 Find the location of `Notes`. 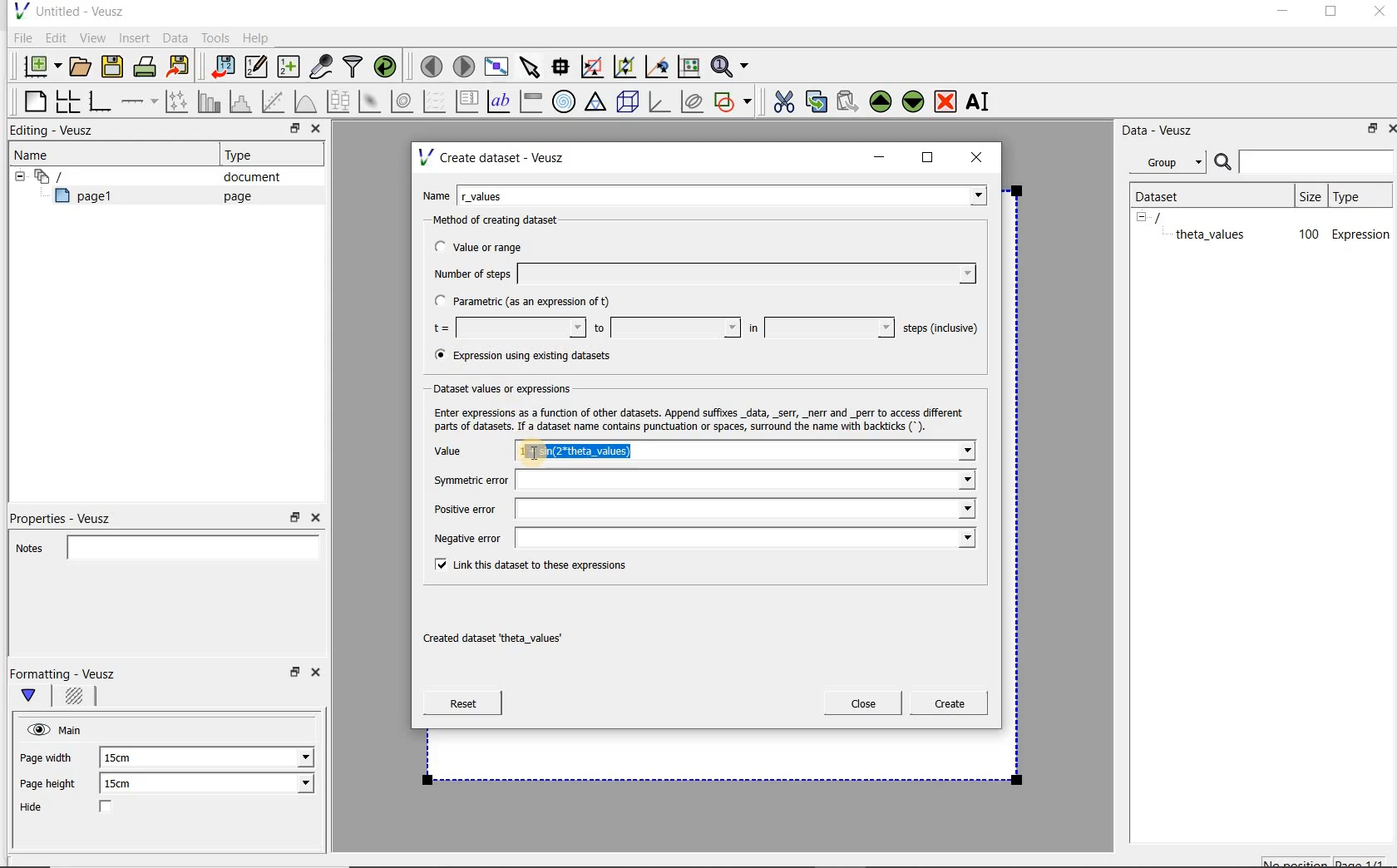

Notes is located at coordinates (162, 545).